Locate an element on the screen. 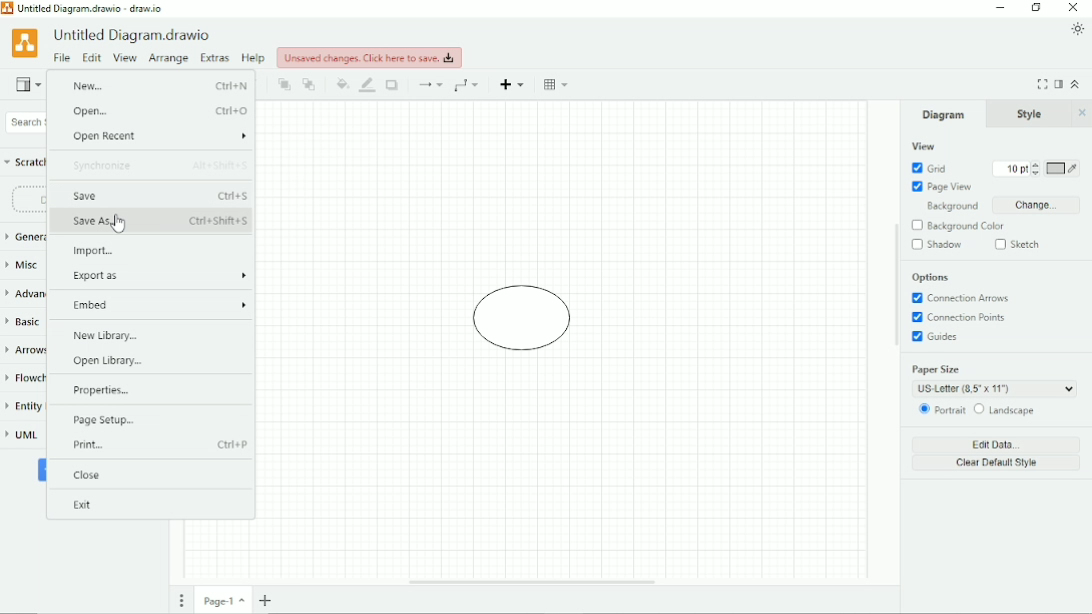  To front is located at coordinates (284, 85).